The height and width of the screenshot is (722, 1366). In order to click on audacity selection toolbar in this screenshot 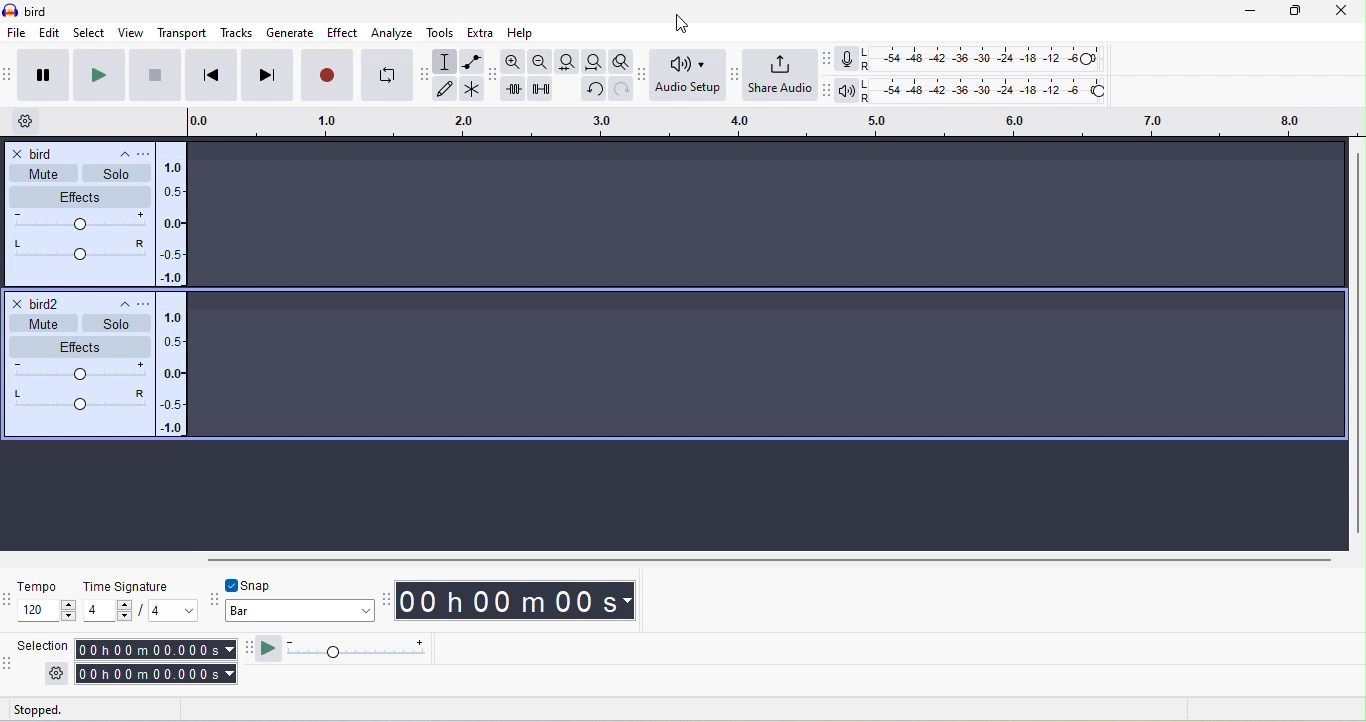, I will do `click(9, 663)`.